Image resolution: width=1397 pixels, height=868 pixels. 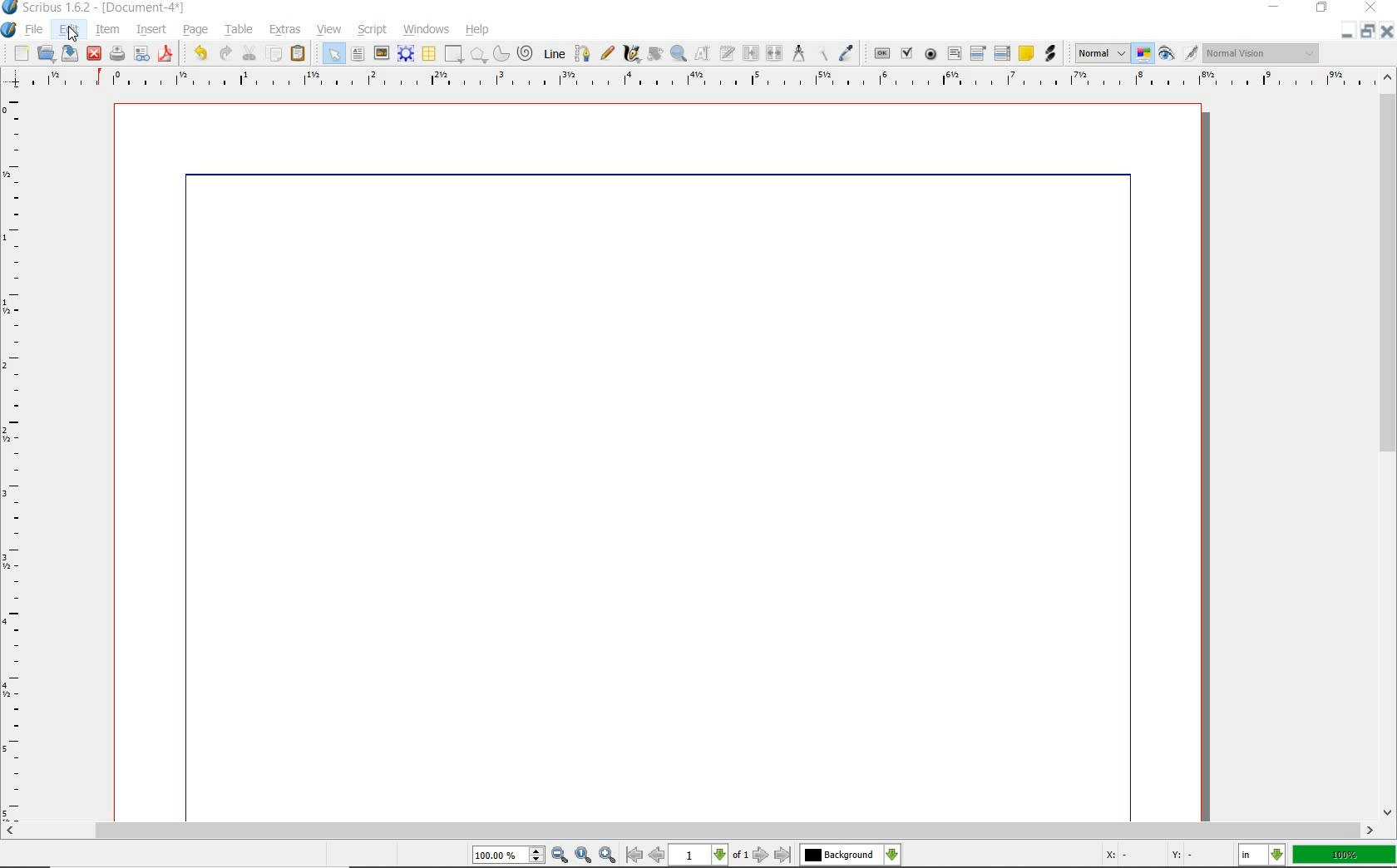 I want to click on pdf list box, so click(x=1001, y=55).